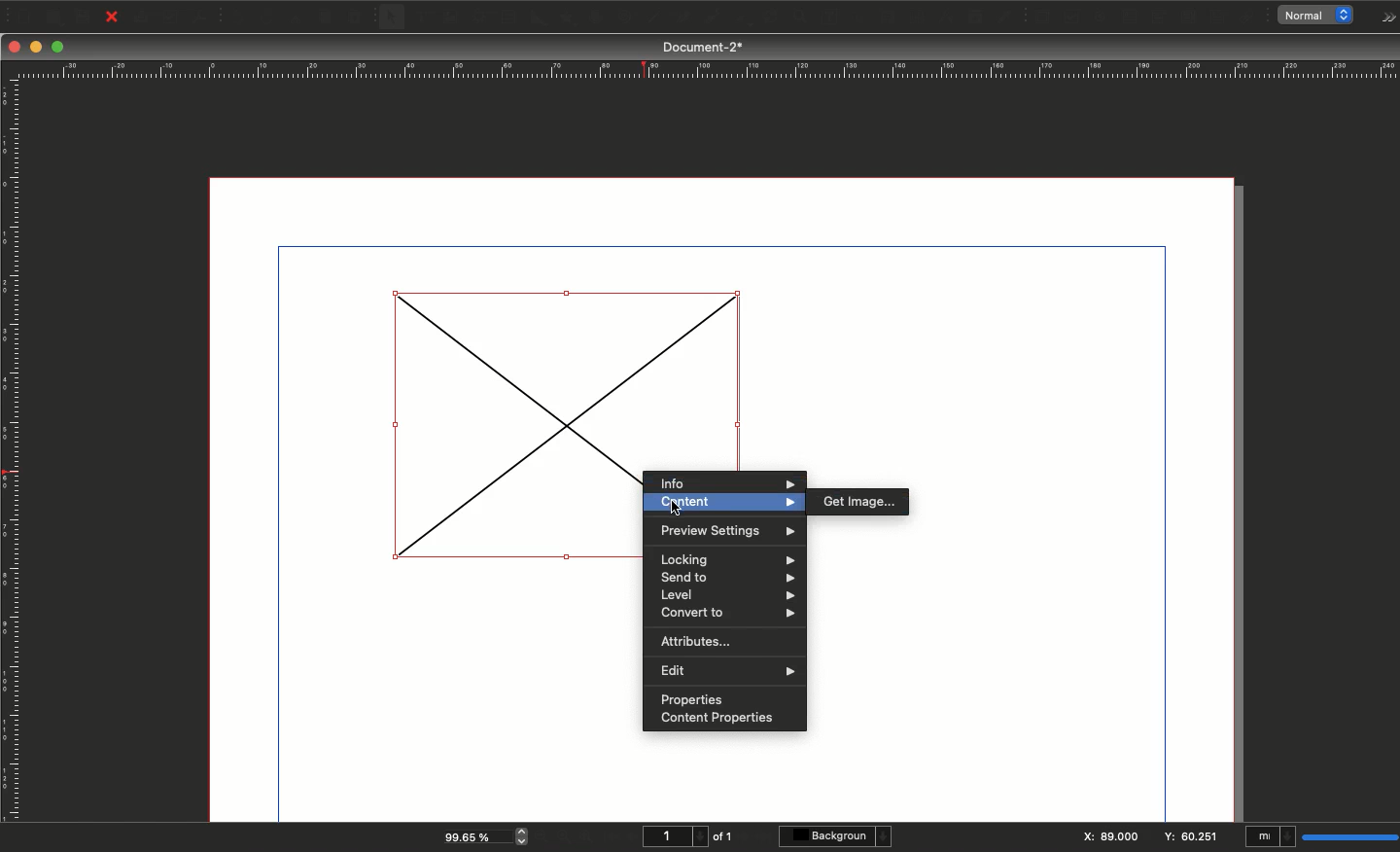 This screenshot has width=1400, height=852. What do you see at coordinates (296, 18) in the screenshot?
I see `Cut` at bounding box center [296, 18].